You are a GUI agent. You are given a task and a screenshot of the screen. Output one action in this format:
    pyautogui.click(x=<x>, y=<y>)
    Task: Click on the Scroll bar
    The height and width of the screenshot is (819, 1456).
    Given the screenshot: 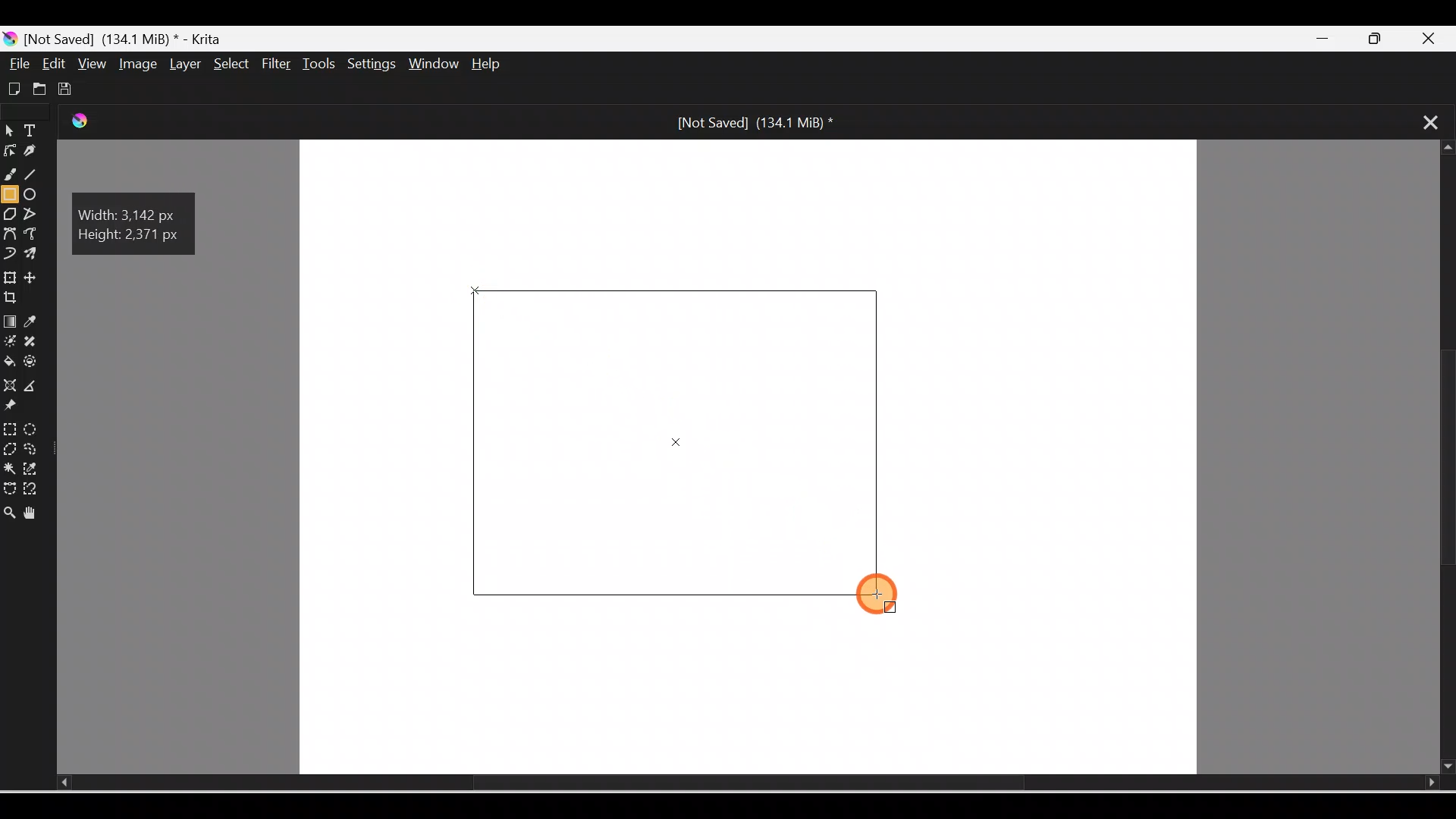 What is the action you would take?
    pyautogui.click(x=1442, y=458)
    